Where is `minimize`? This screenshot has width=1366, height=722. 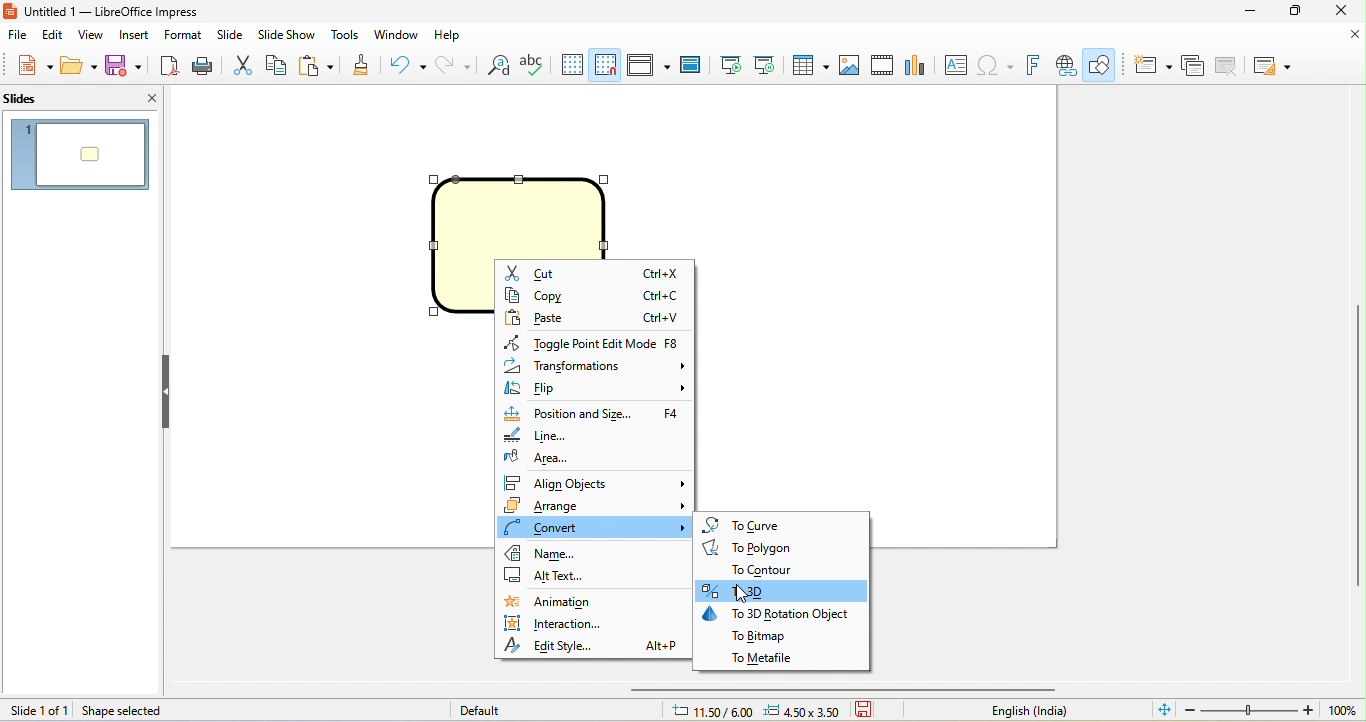
minimize is located at coordinates (1247, 11).